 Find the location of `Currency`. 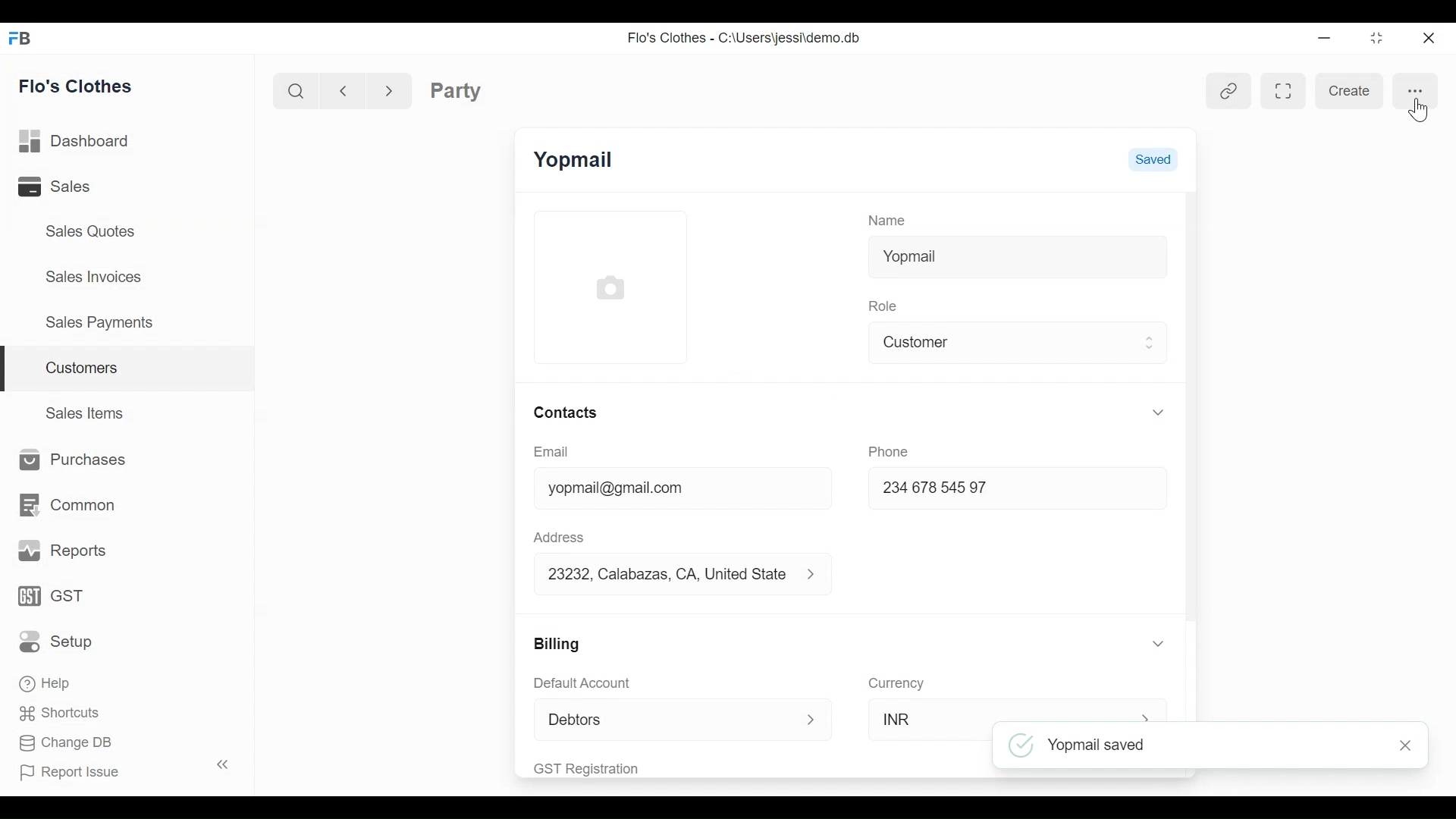

Currency is located at coordinates (899, 682).